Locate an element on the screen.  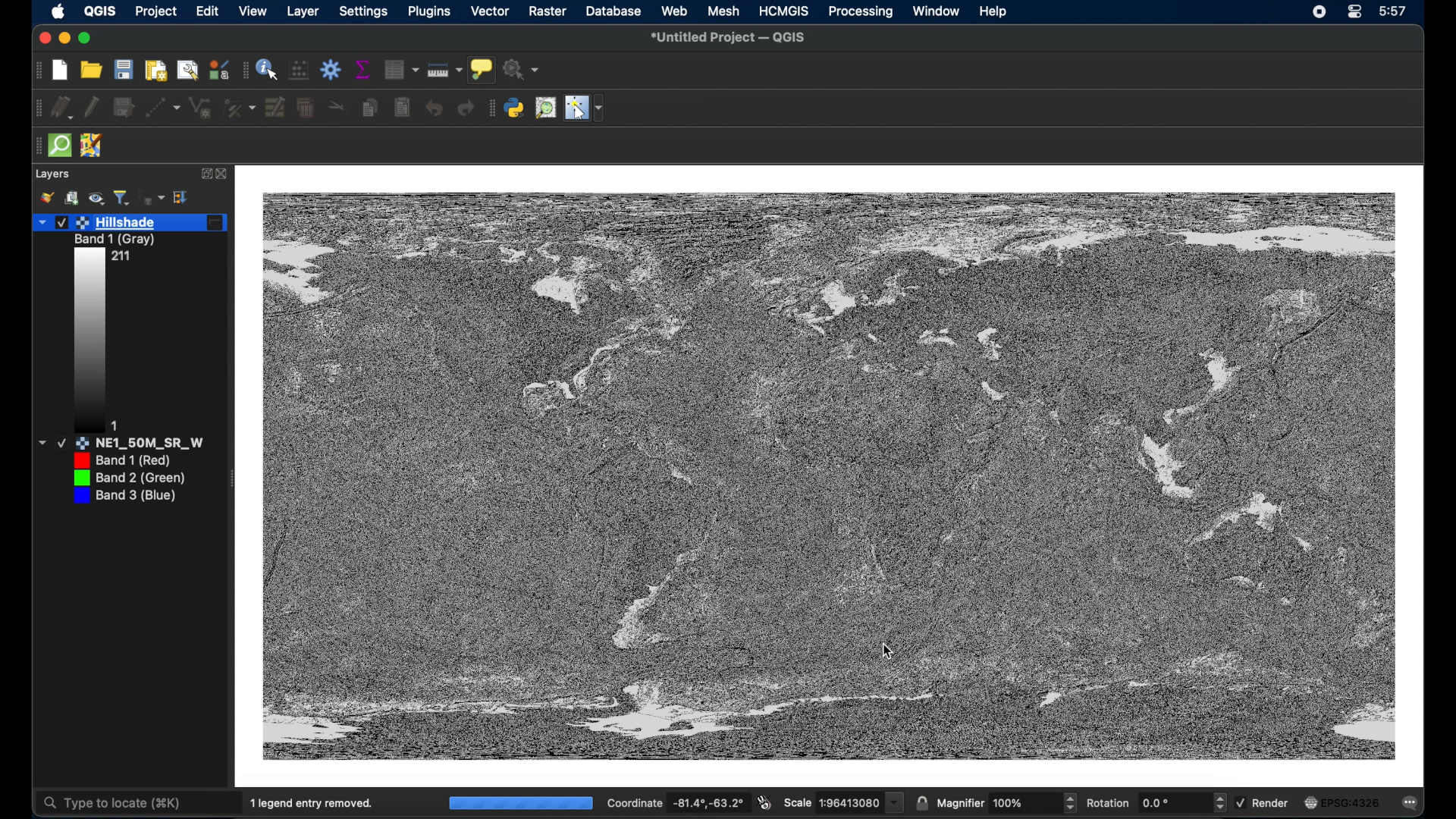
coordinate is located at coordinates (675, 802).